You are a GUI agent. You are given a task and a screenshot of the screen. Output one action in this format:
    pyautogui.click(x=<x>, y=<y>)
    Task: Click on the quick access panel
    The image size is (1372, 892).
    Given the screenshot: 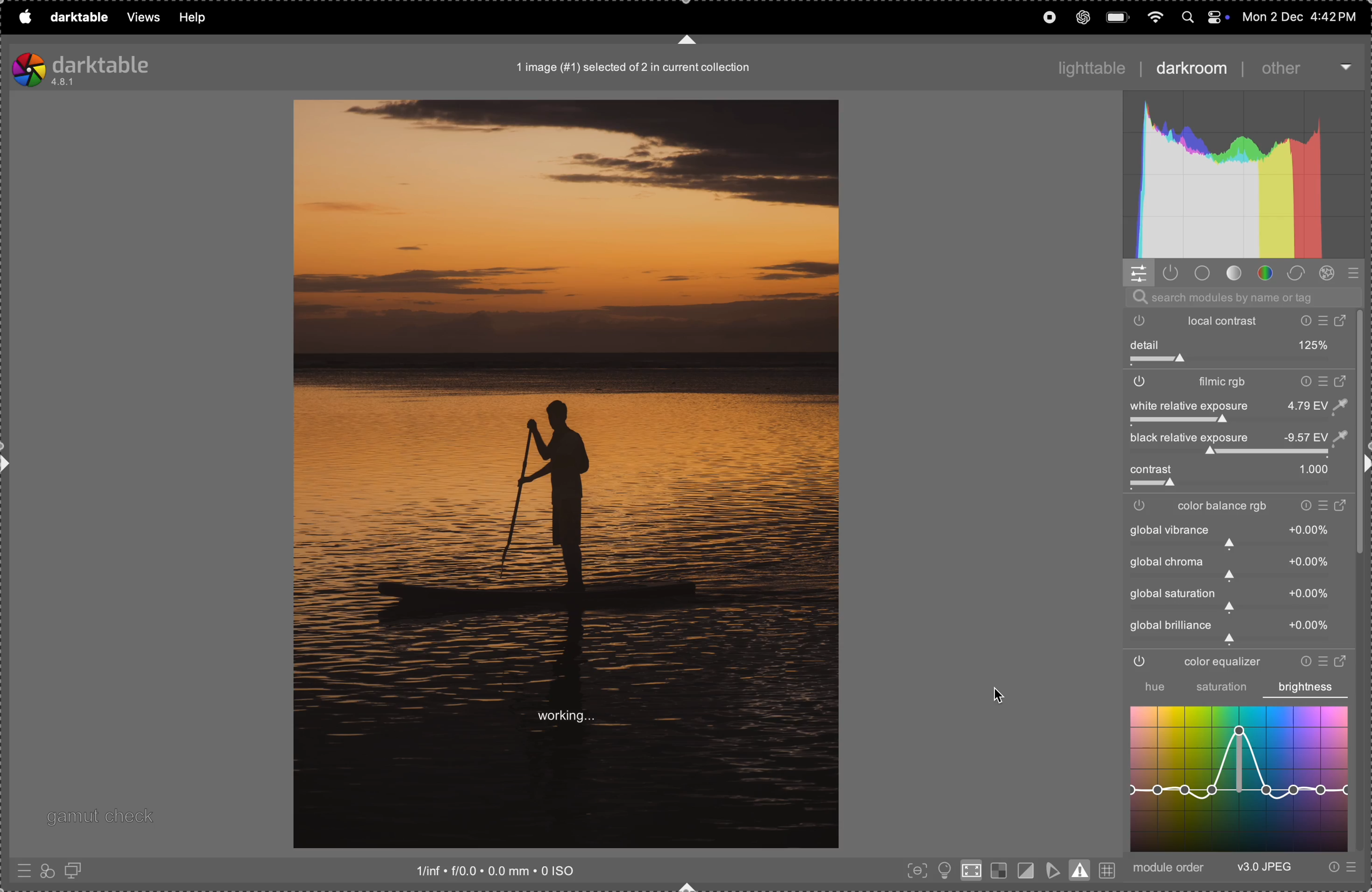 What is the action you would take?
    pyautogui.click(x=1139, y=273)
    